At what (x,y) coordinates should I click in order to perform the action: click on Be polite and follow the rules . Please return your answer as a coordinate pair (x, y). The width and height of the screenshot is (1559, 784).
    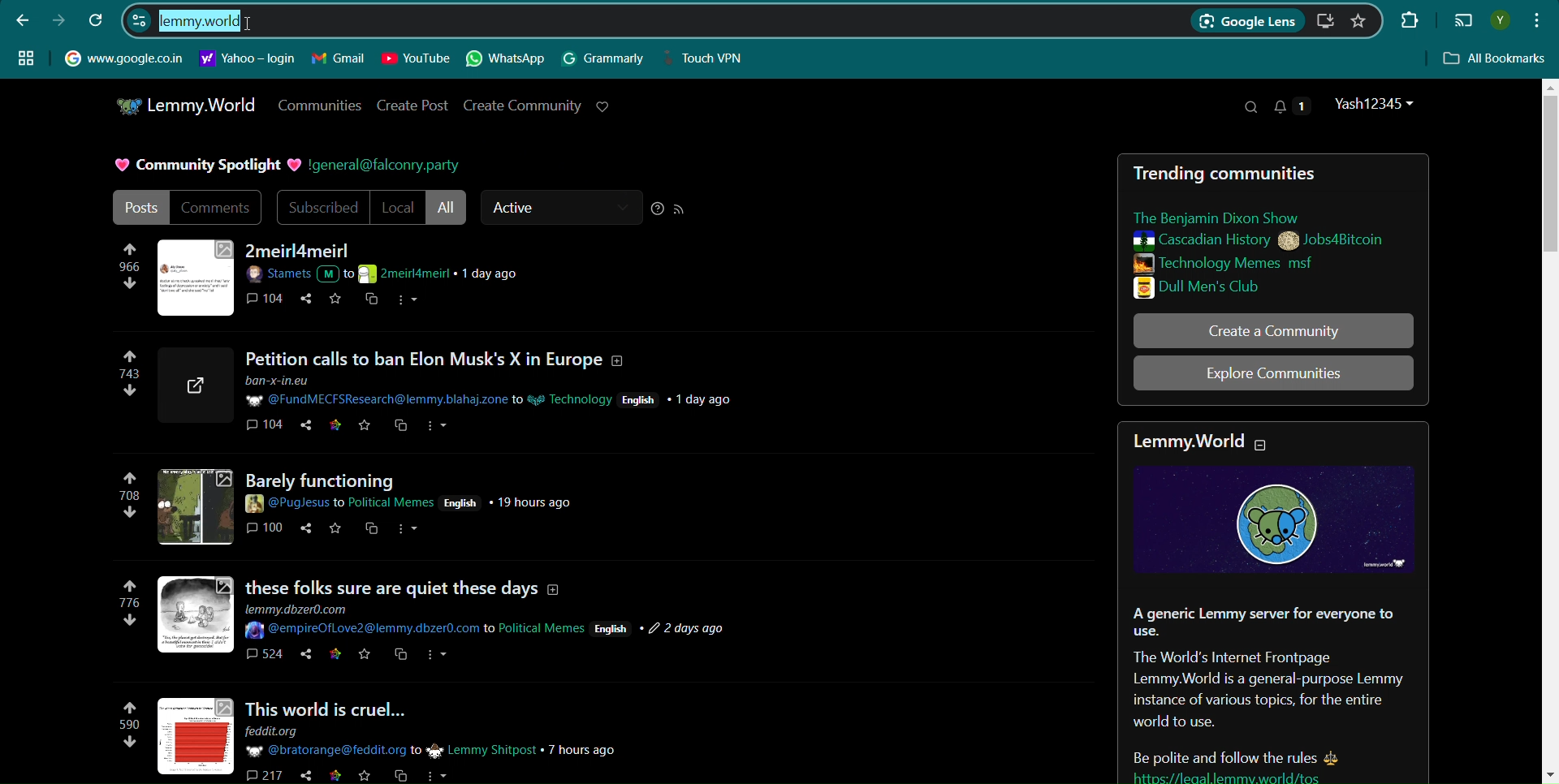
    Looking at the image, I should click on (1217, 752).